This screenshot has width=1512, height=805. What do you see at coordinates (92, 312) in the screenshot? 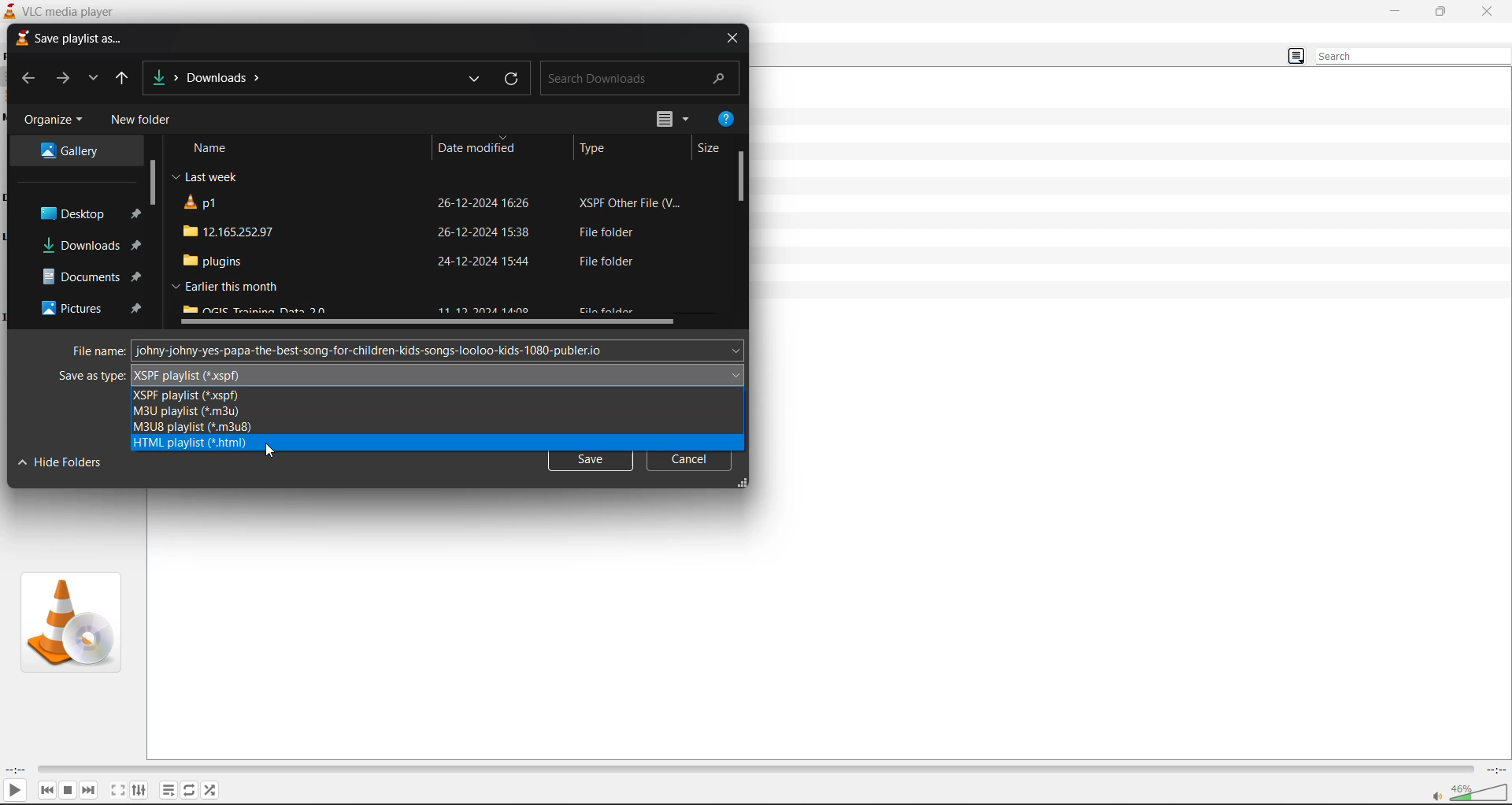
I see `pictures` at bounding box center [92, 312].